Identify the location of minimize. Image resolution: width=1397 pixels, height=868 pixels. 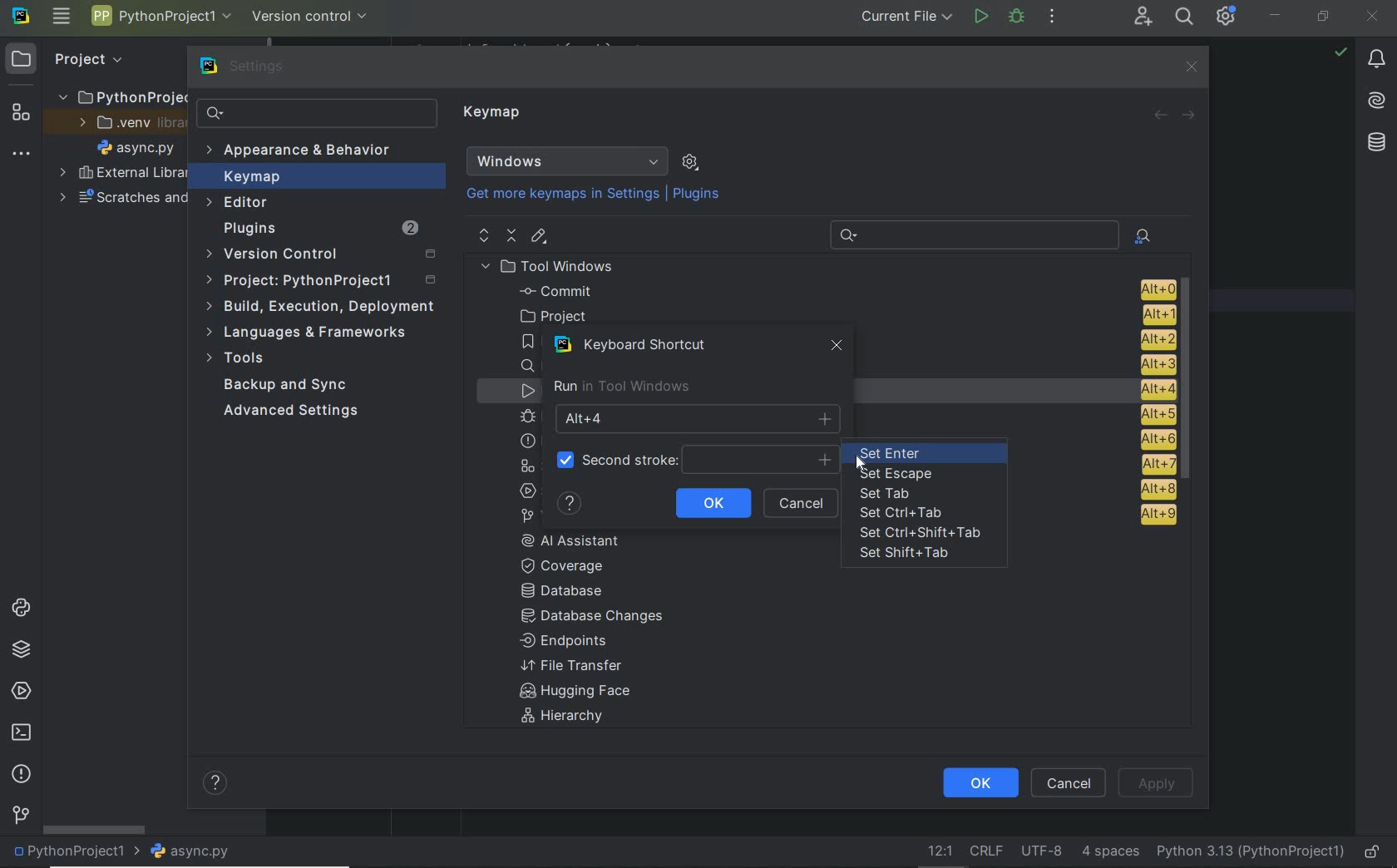
(1276, 15).